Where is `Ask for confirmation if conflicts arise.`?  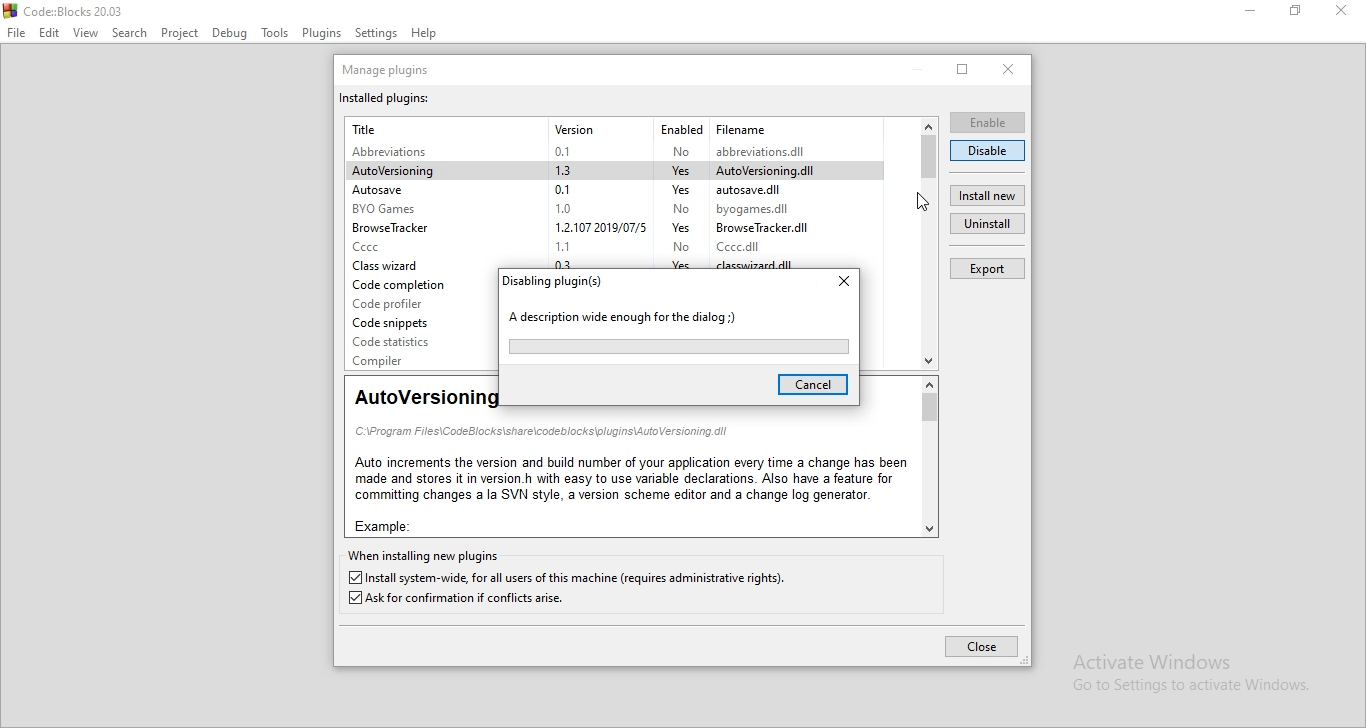
Ask for confirmation if conflicts arise. is located at coordinates (462, 600).